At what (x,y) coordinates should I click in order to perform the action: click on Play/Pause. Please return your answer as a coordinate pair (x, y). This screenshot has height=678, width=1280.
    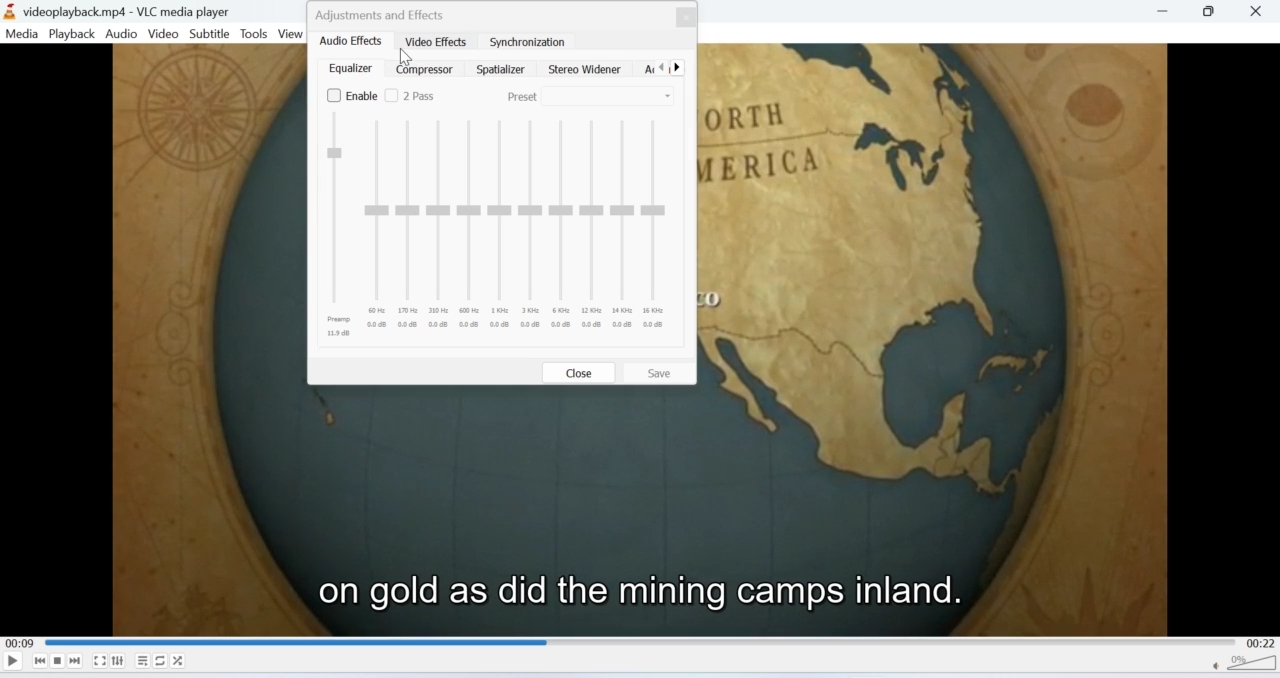
    Looking at the image, I should click on (13, 660).